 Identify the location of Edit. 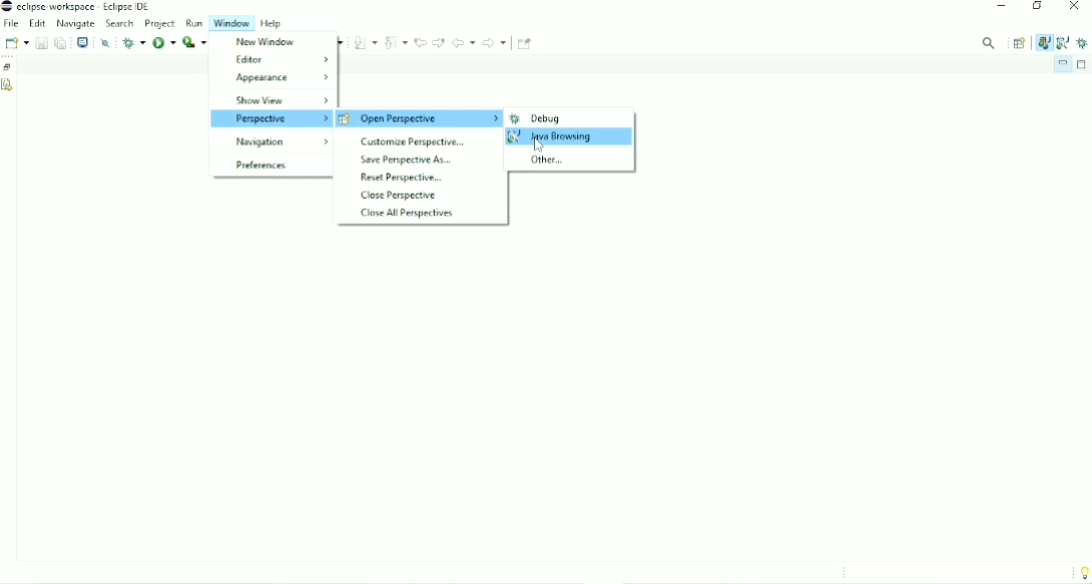
(38, 23).